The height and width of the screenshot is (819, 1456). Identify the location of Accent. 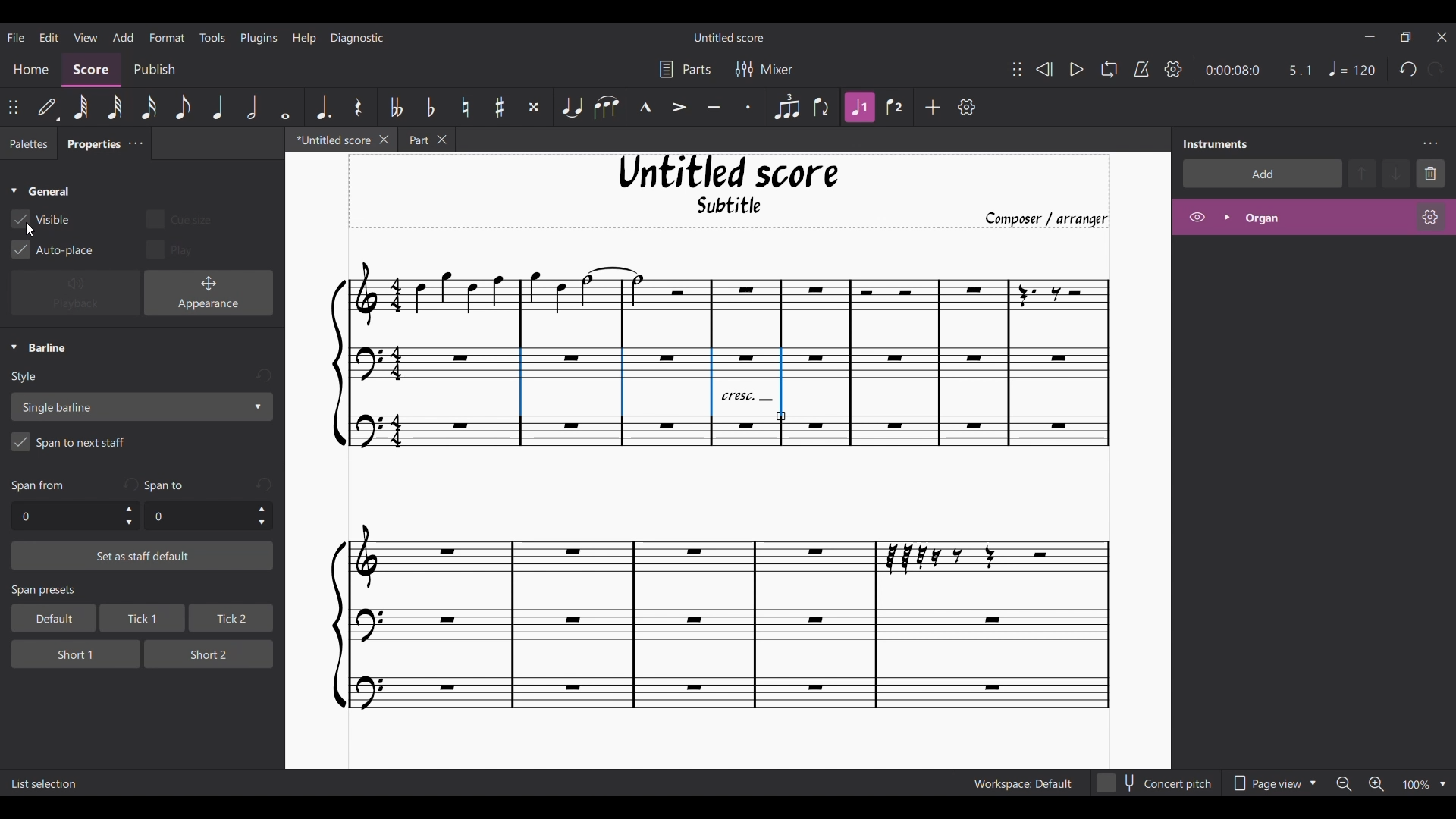
(679, 108).